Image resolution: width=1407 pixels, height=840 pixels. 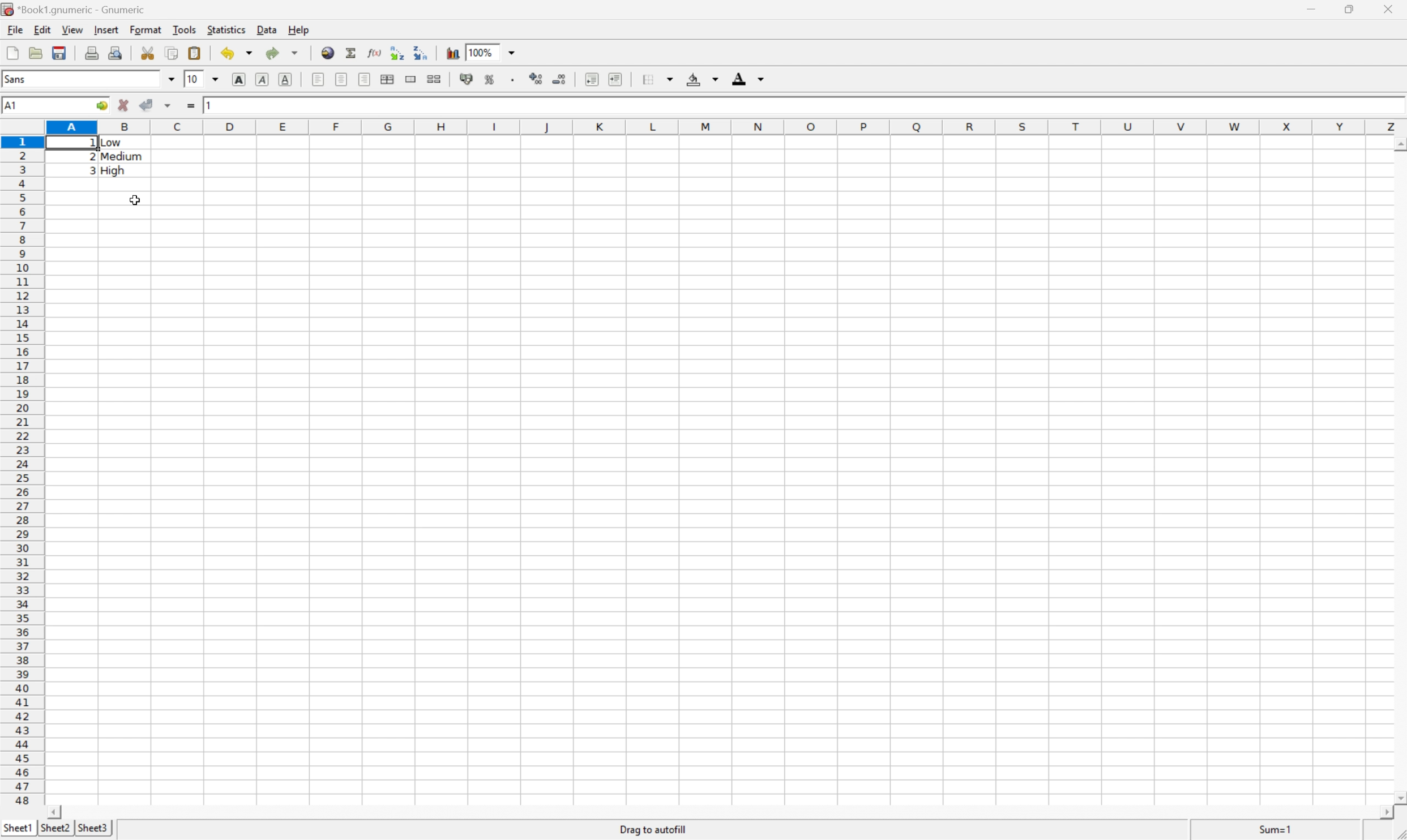 What do you see at coordinates (123, 104) in the screenshot?
I see `Cancel changes` at bounding box center [123, 104].